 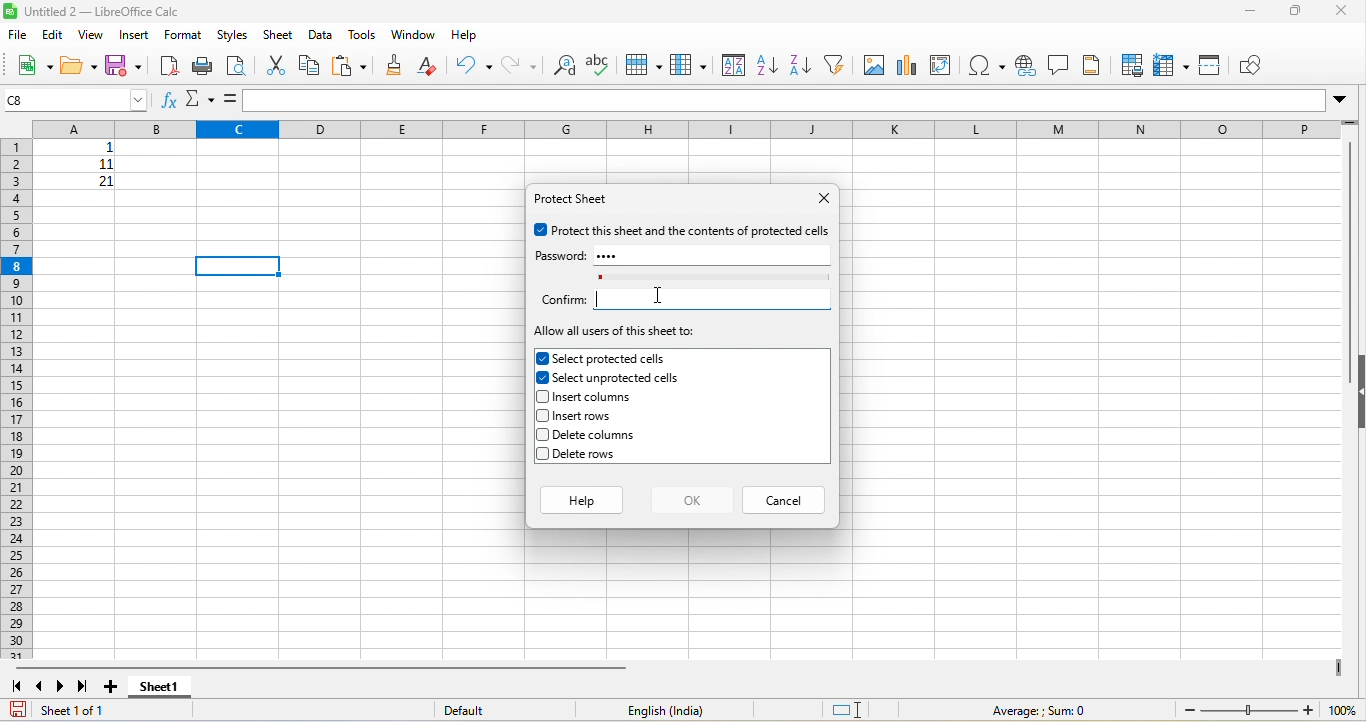 What do you see at coordinates (19, 398) in the screenshot?
I see `row numbers` at bounding box center [19, 398].